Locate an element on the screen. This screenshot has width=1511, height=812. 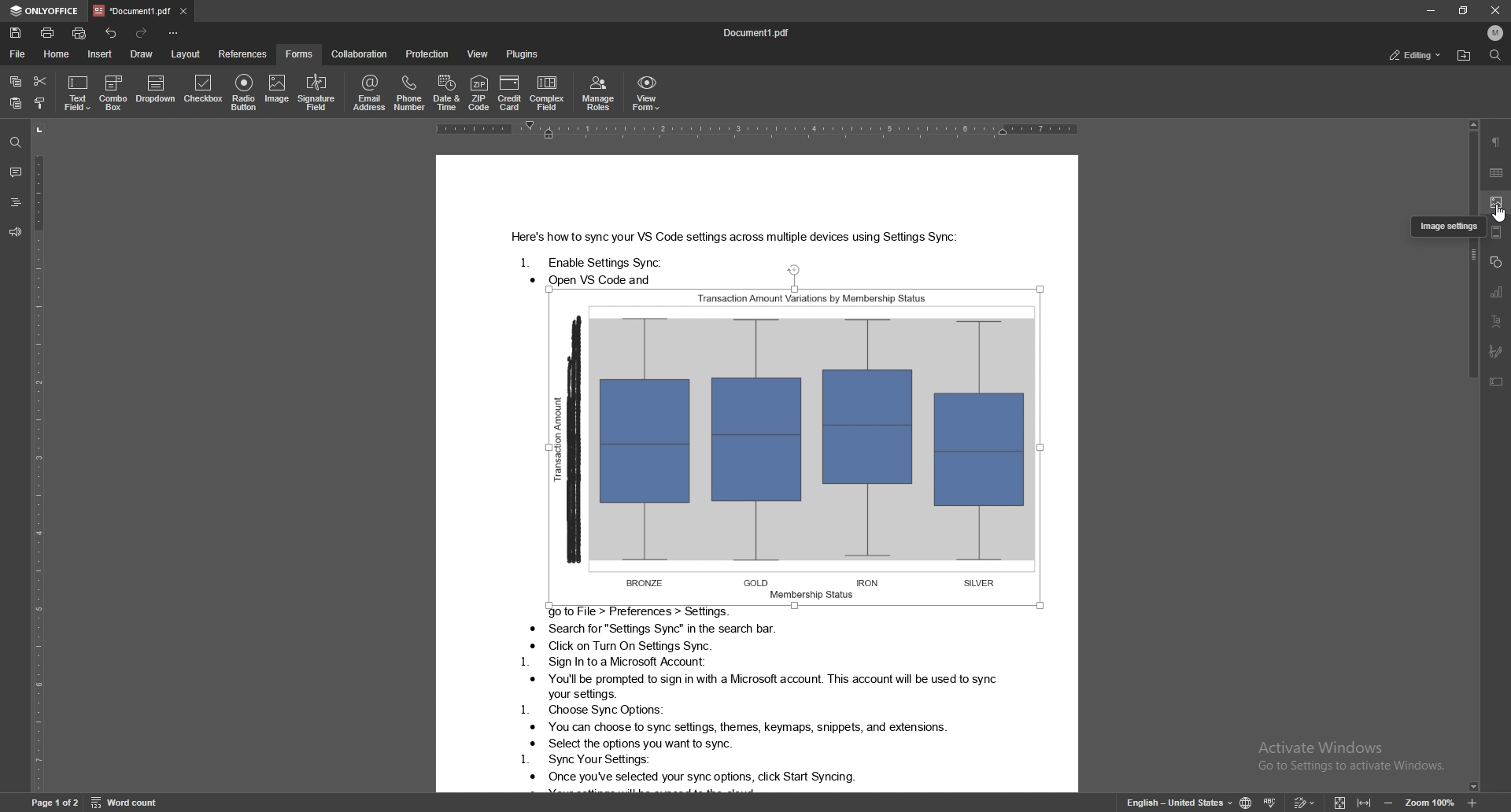
options is located at coordinates (173, 32).